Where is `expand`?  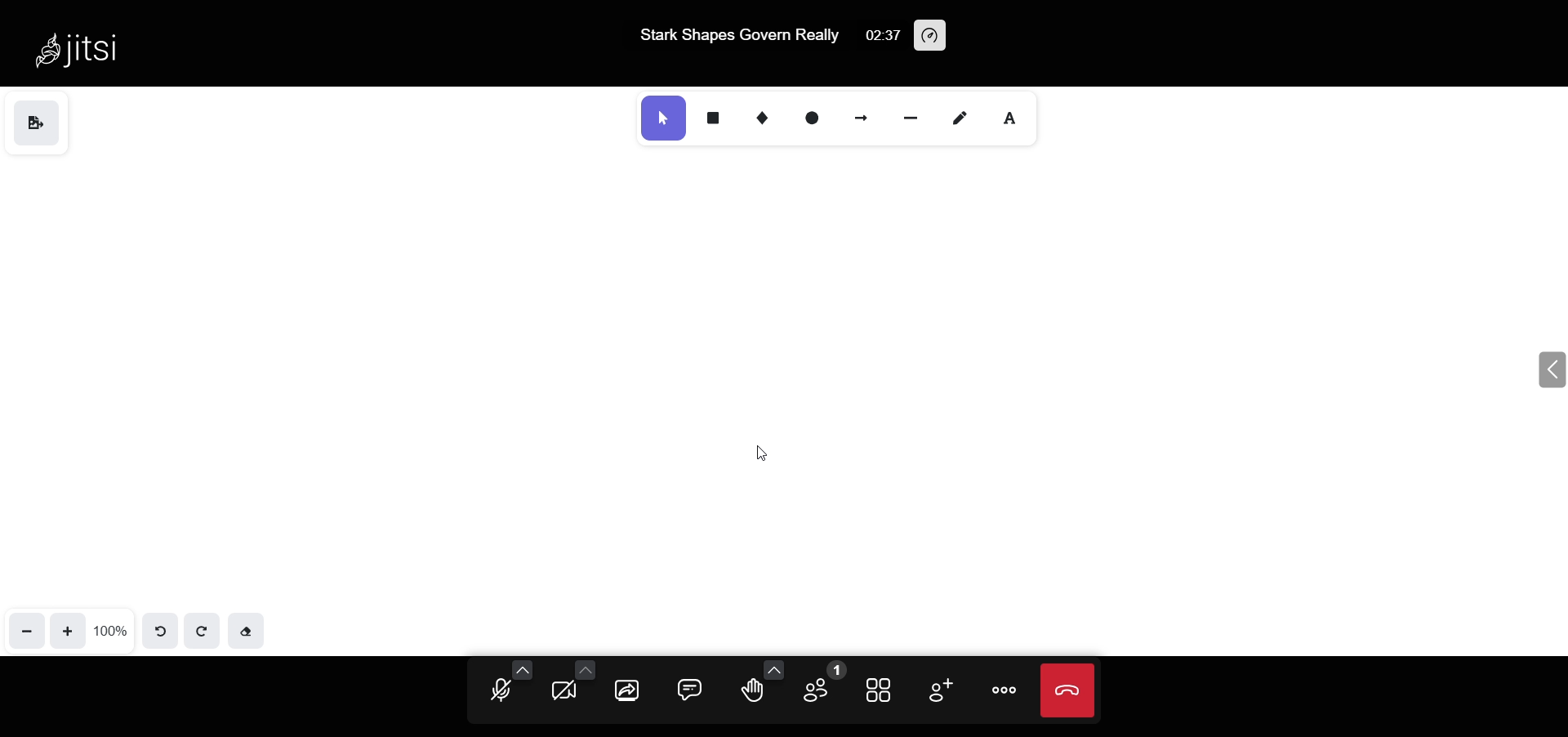 expand is located at coordinates (1549, 369).